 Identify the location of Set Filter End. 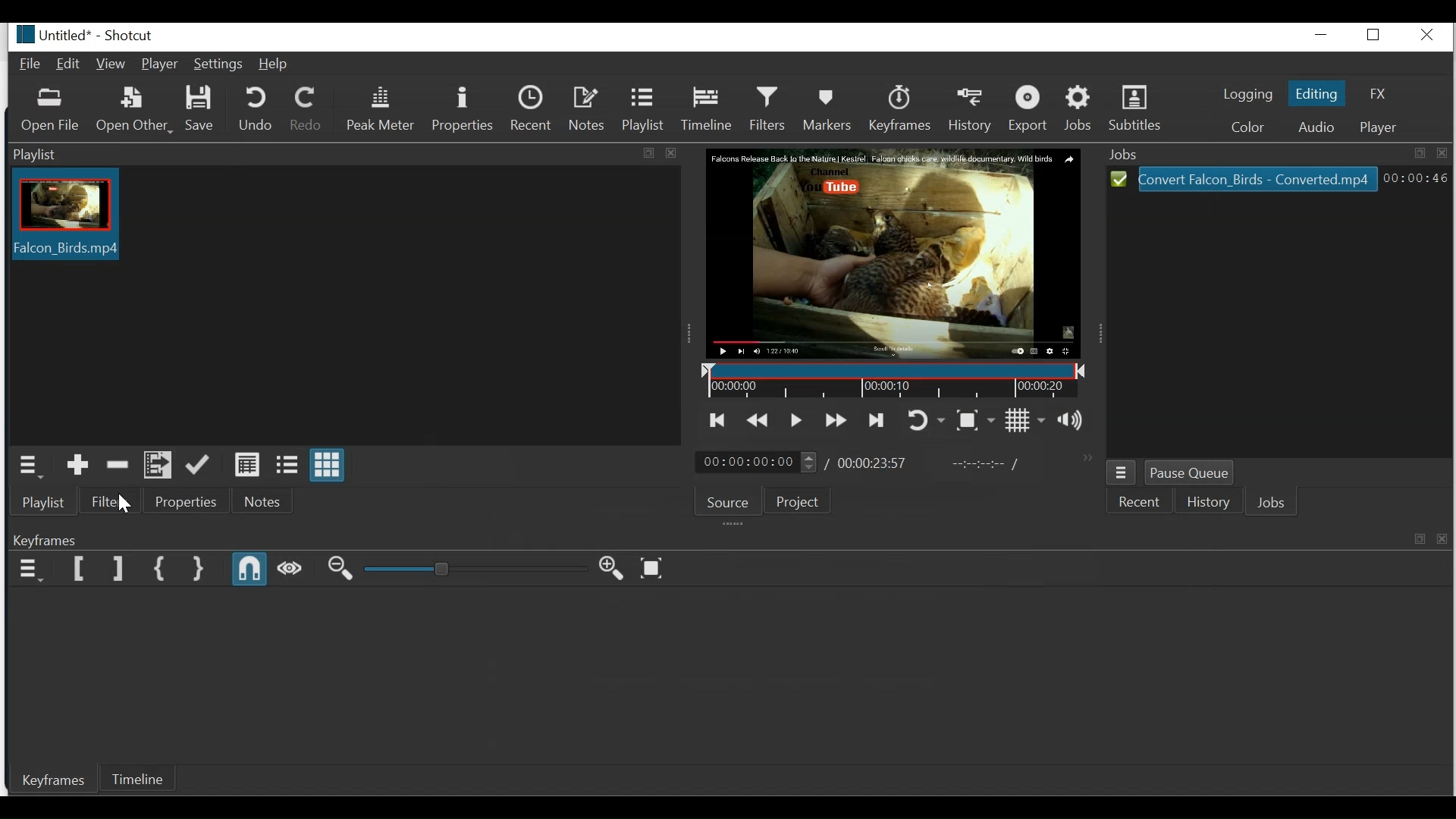
(117, 570).